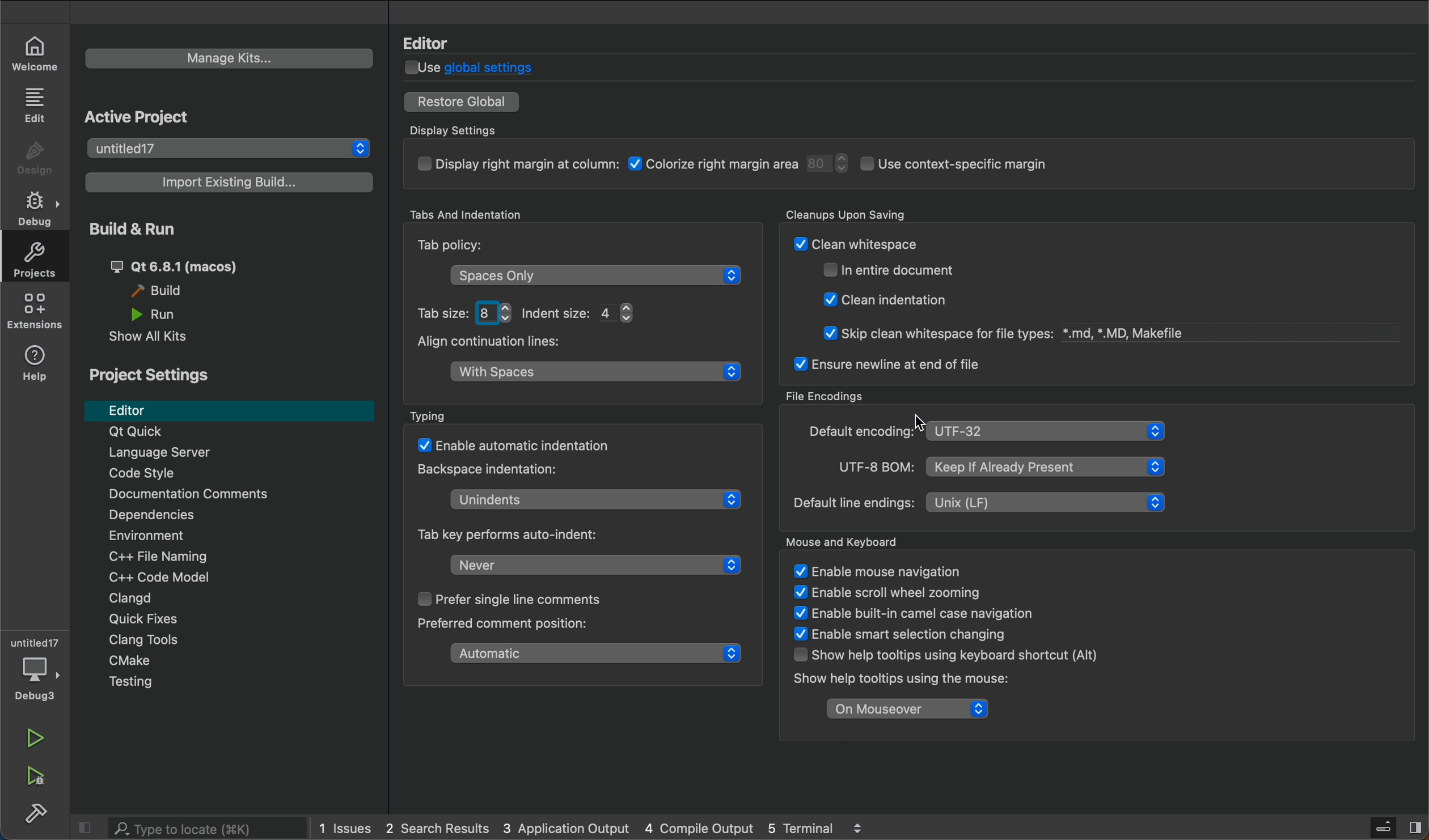  What do you see at coordinates (975, 501) in the screenshot?
I see `line encoding` at bounding box center [975, 501].